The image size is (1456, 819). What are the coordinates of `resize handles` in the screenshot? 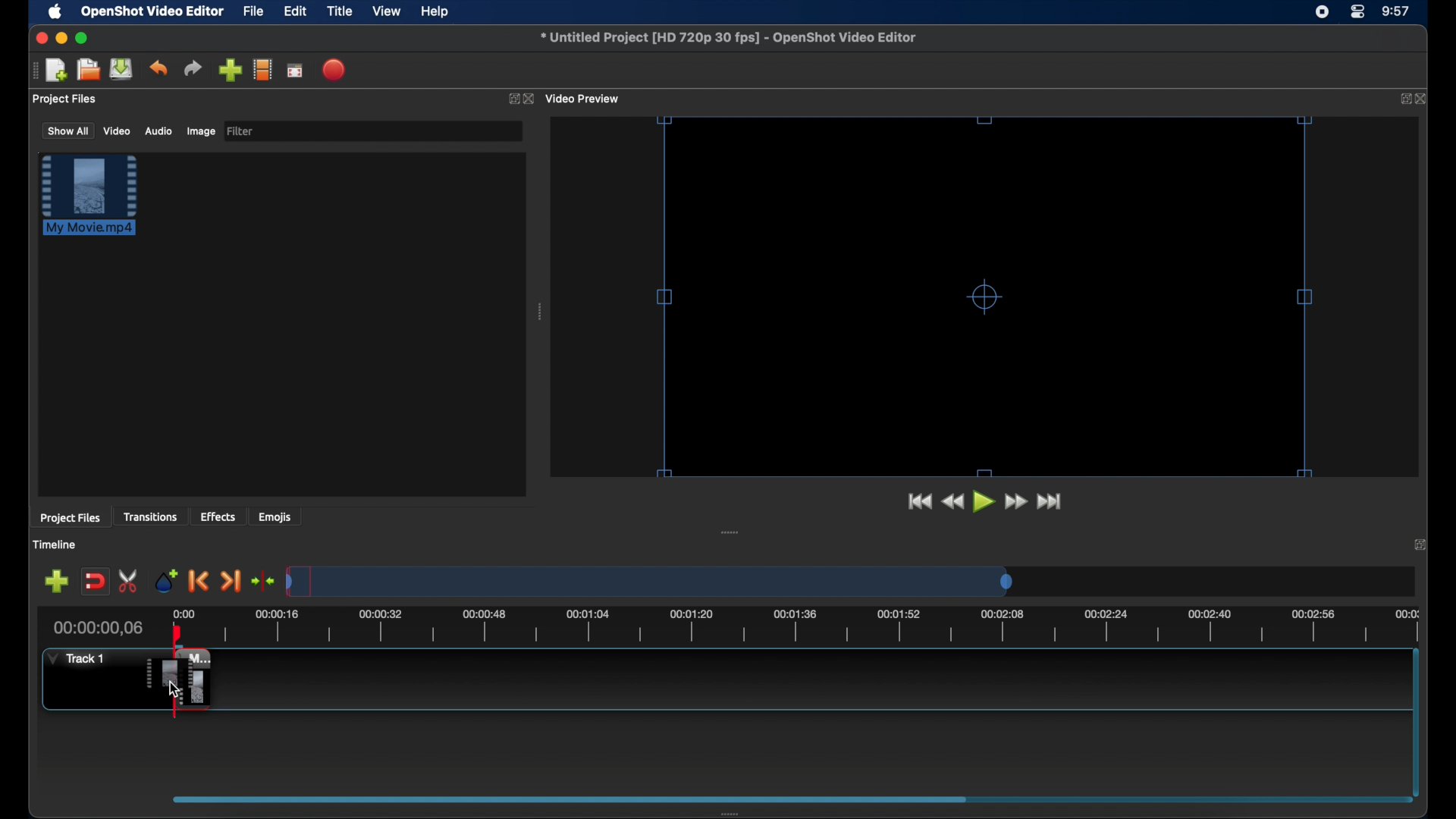 It's located at (983, 296).